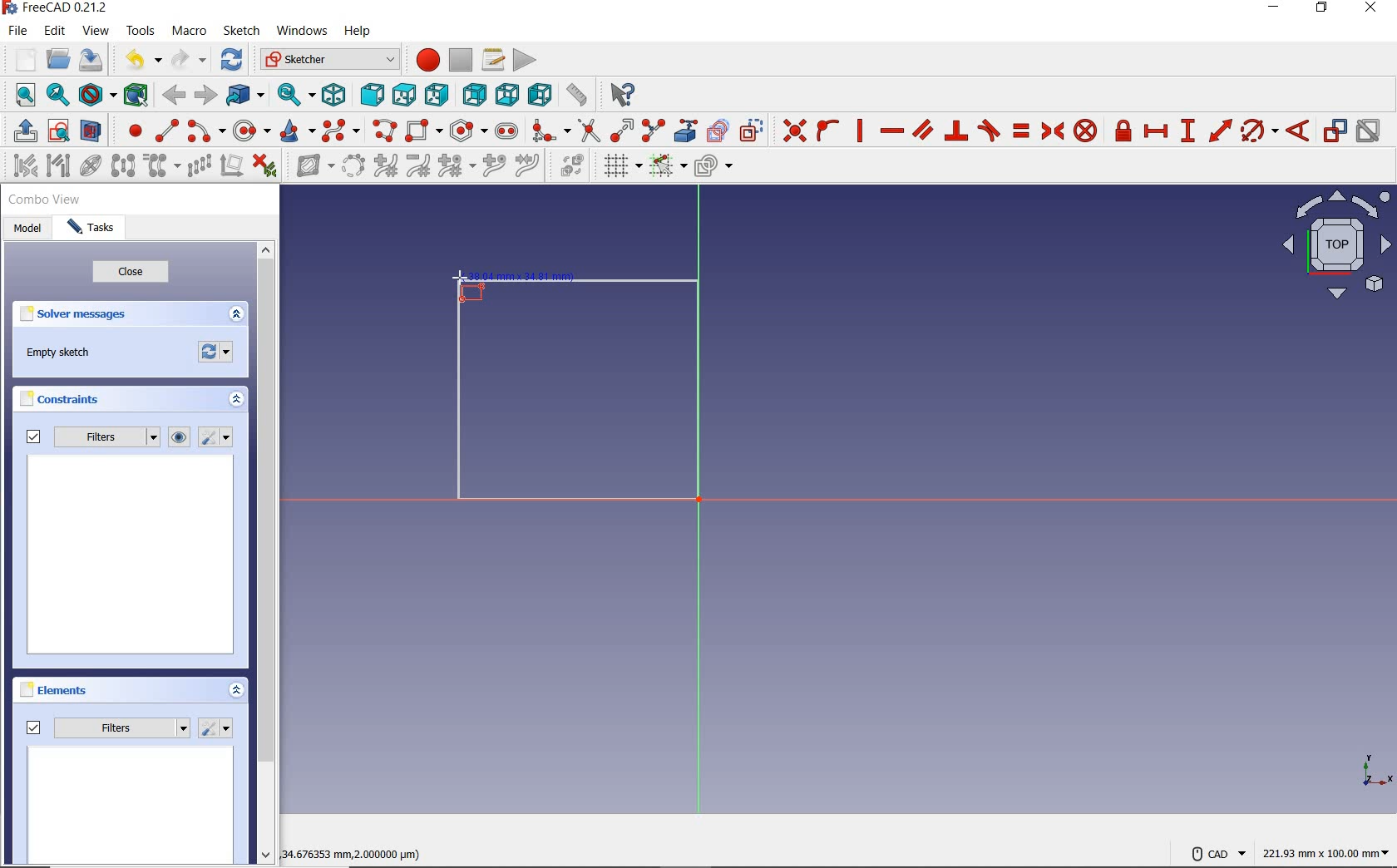 The height and width of the screenshot is (868, 1397). I want to click on constrain vertically, so click(861, 131).